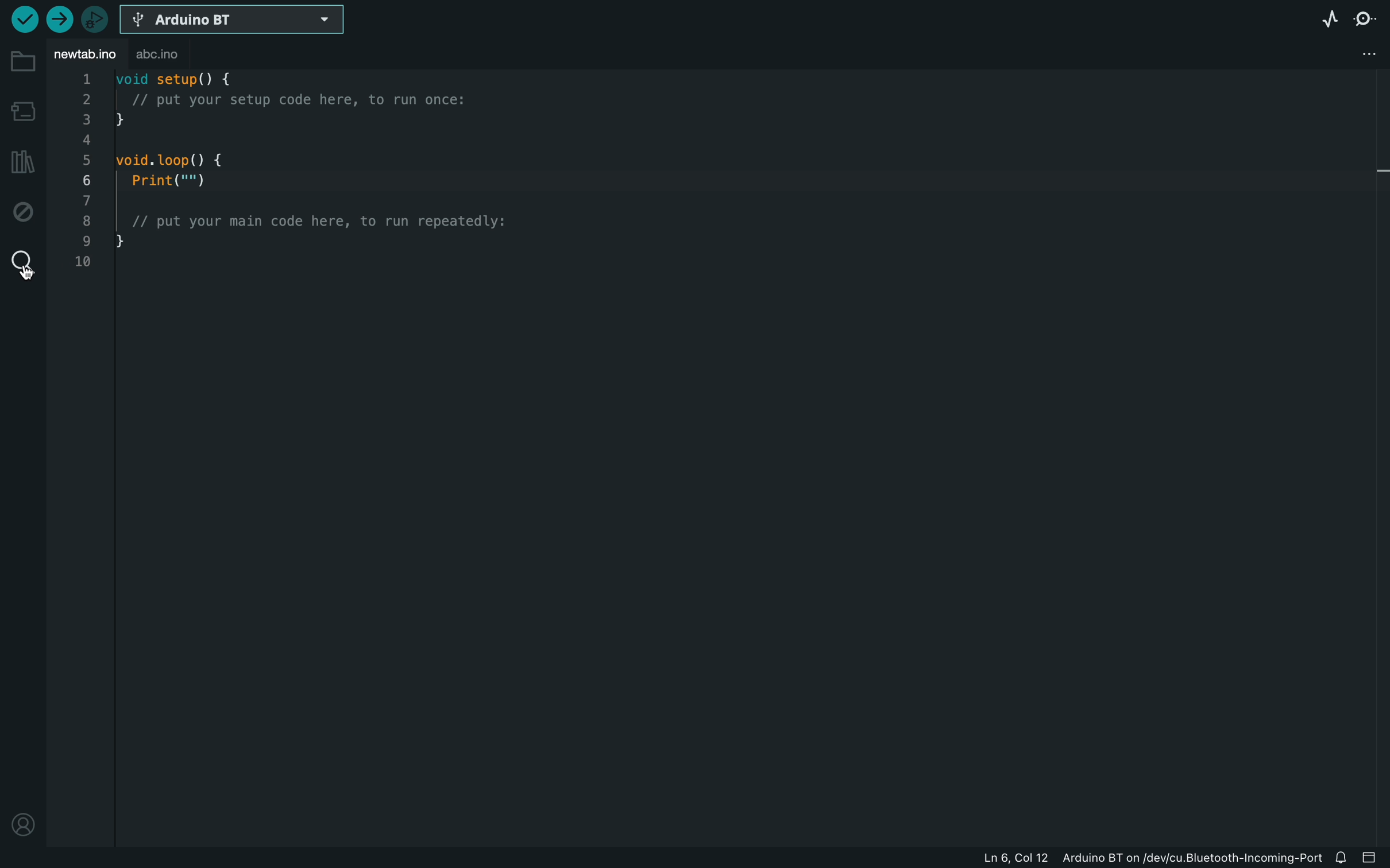 This screenshot has height=868, width=1390. What do you see at coordinates (169, 55) in the screenshot?
I see `abc` at bounding box center [169, 55].